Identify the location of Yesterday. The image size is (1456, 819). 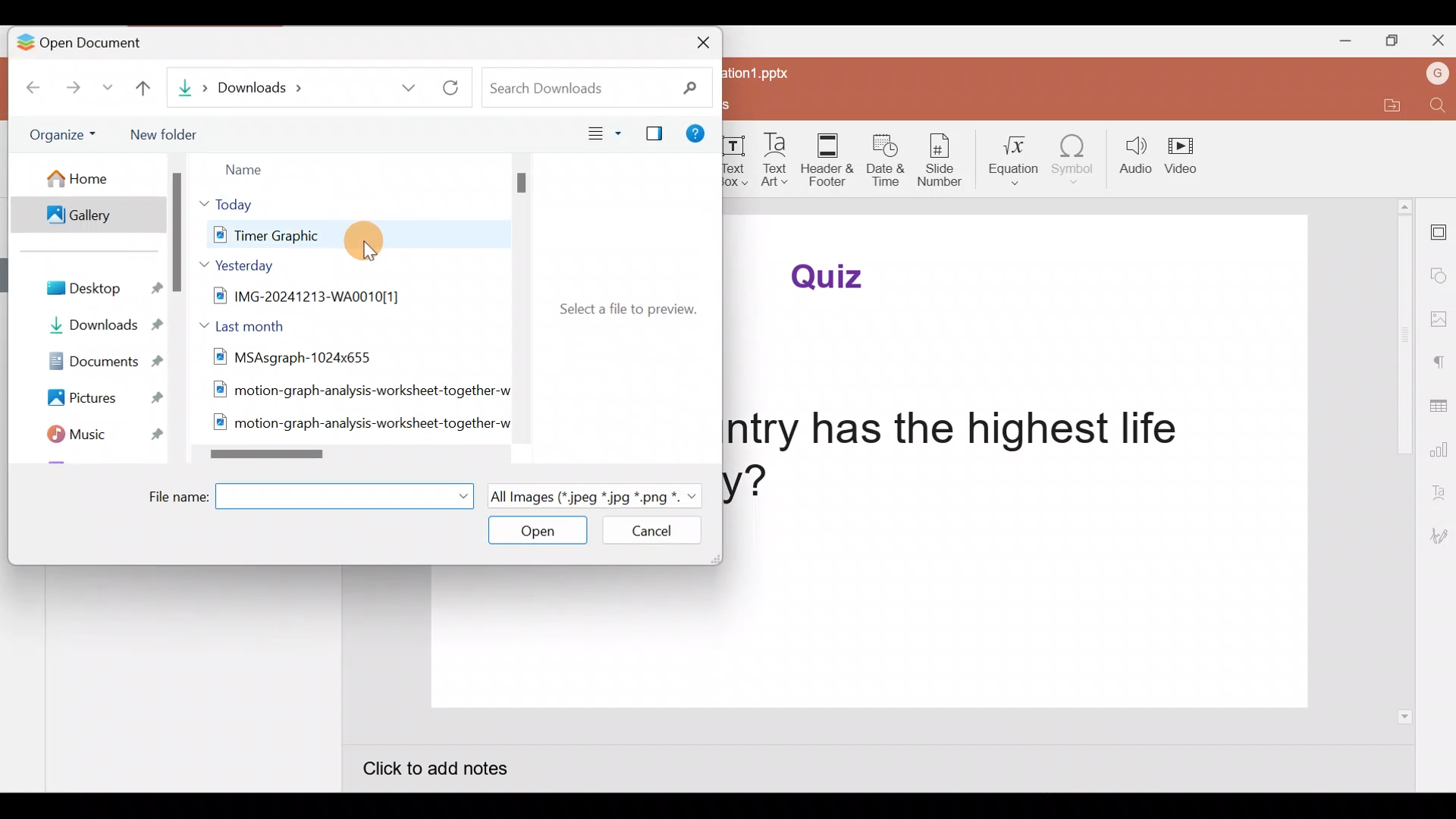
(240, 265).